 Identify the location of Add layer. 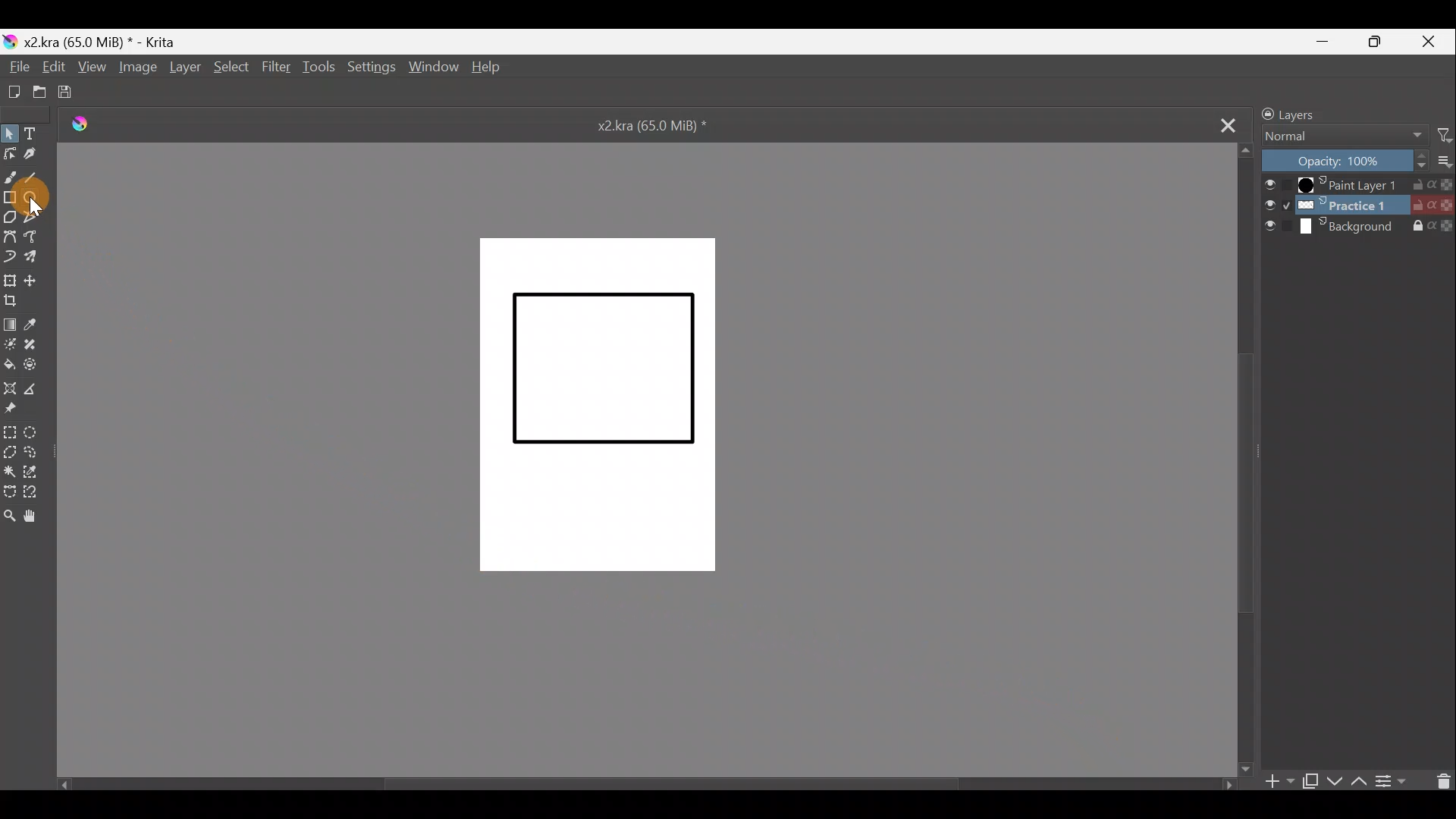
(1275, 781).